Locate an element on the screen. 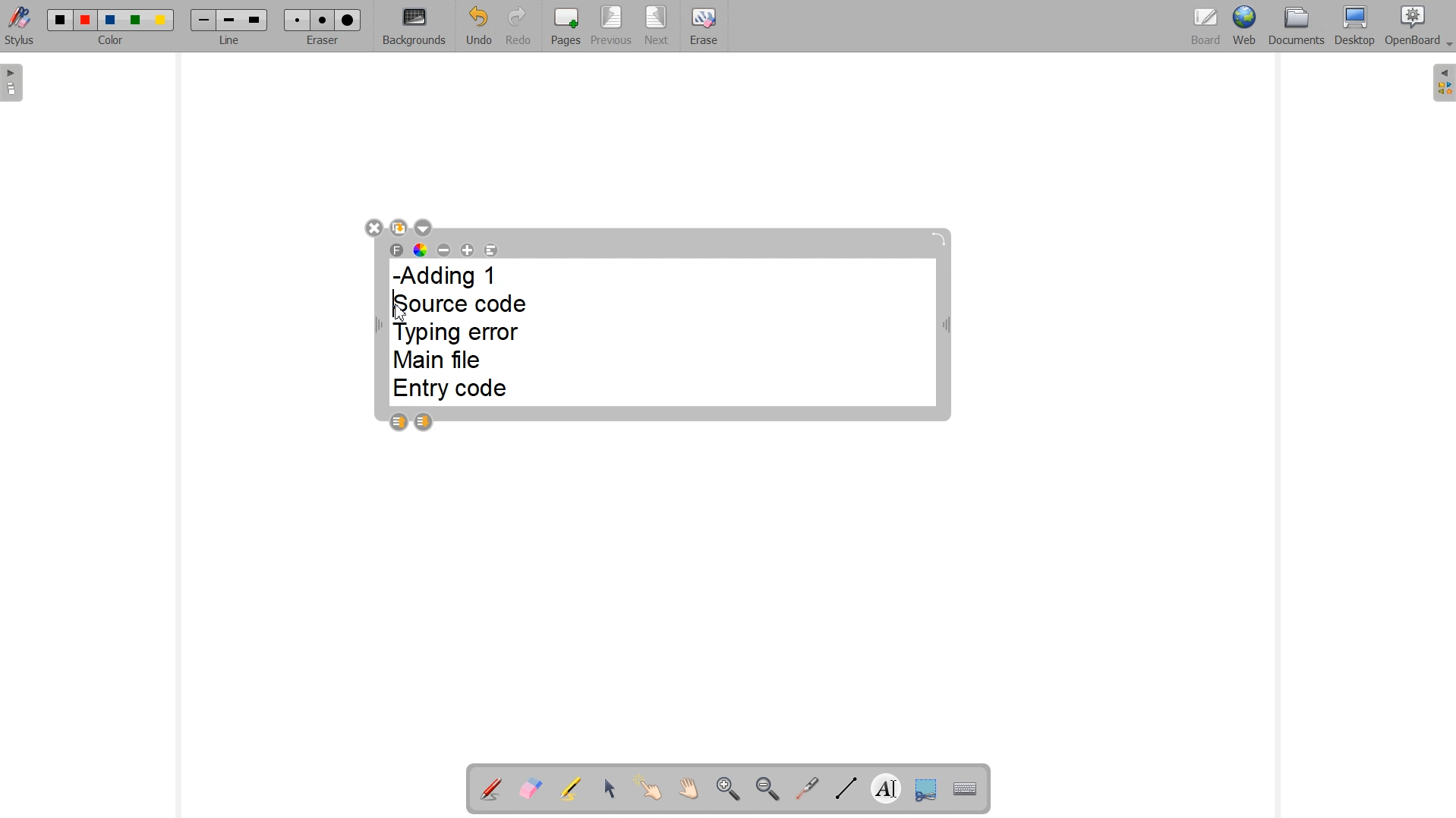 The width and height of the screenshot is (1456, 818). Highlight is located at coordinates (572, 788).